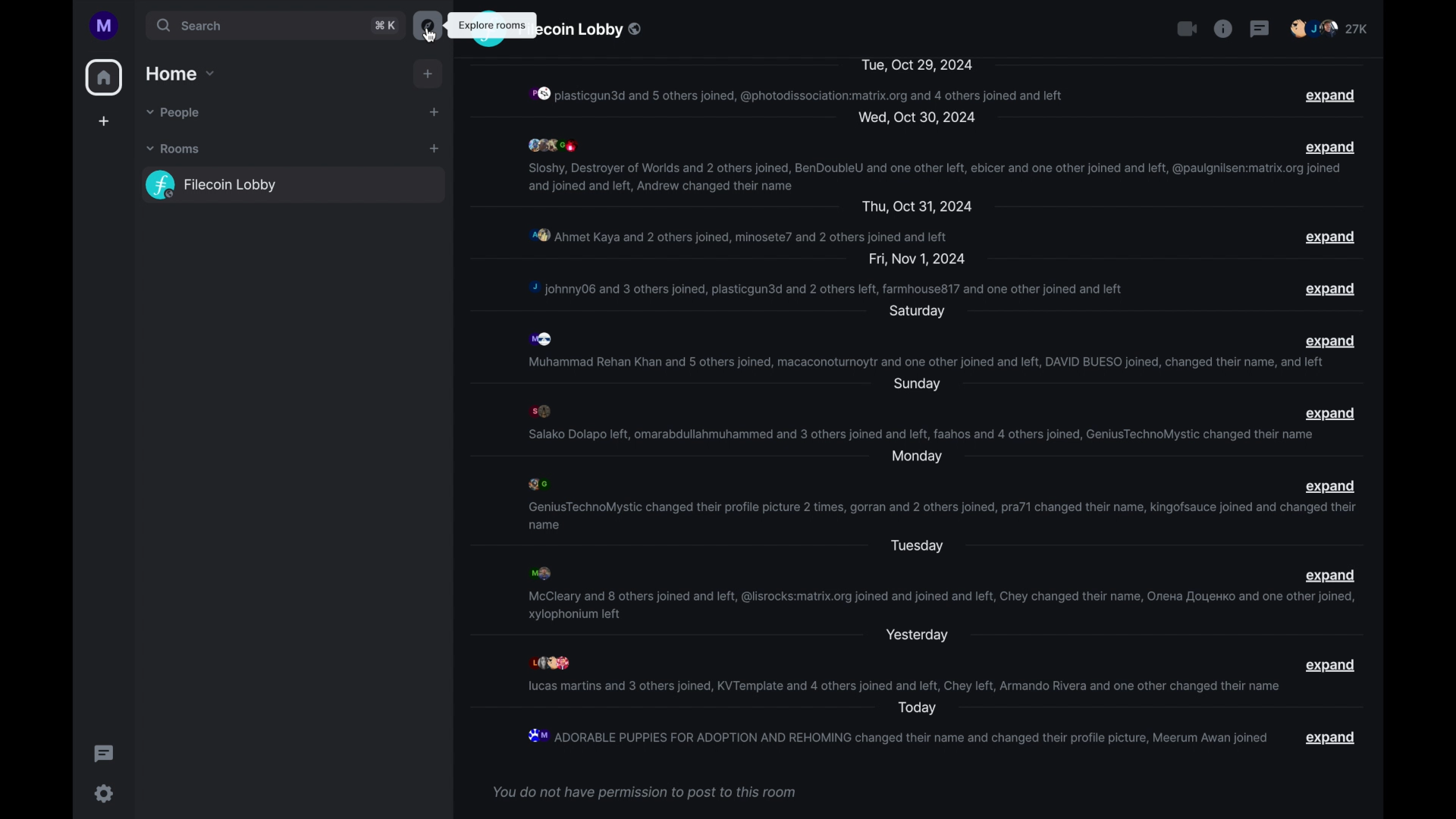 The width and height of the screenshot is (1456, 819). Describe the element at coordinates (921, 434) in the screenshot. I see `Salako Dolapo left, omarabdullahmuhammed and 3 others joined and left, faahos and 4 others joined, GeniusTechnoMystic changed their name` at that location.